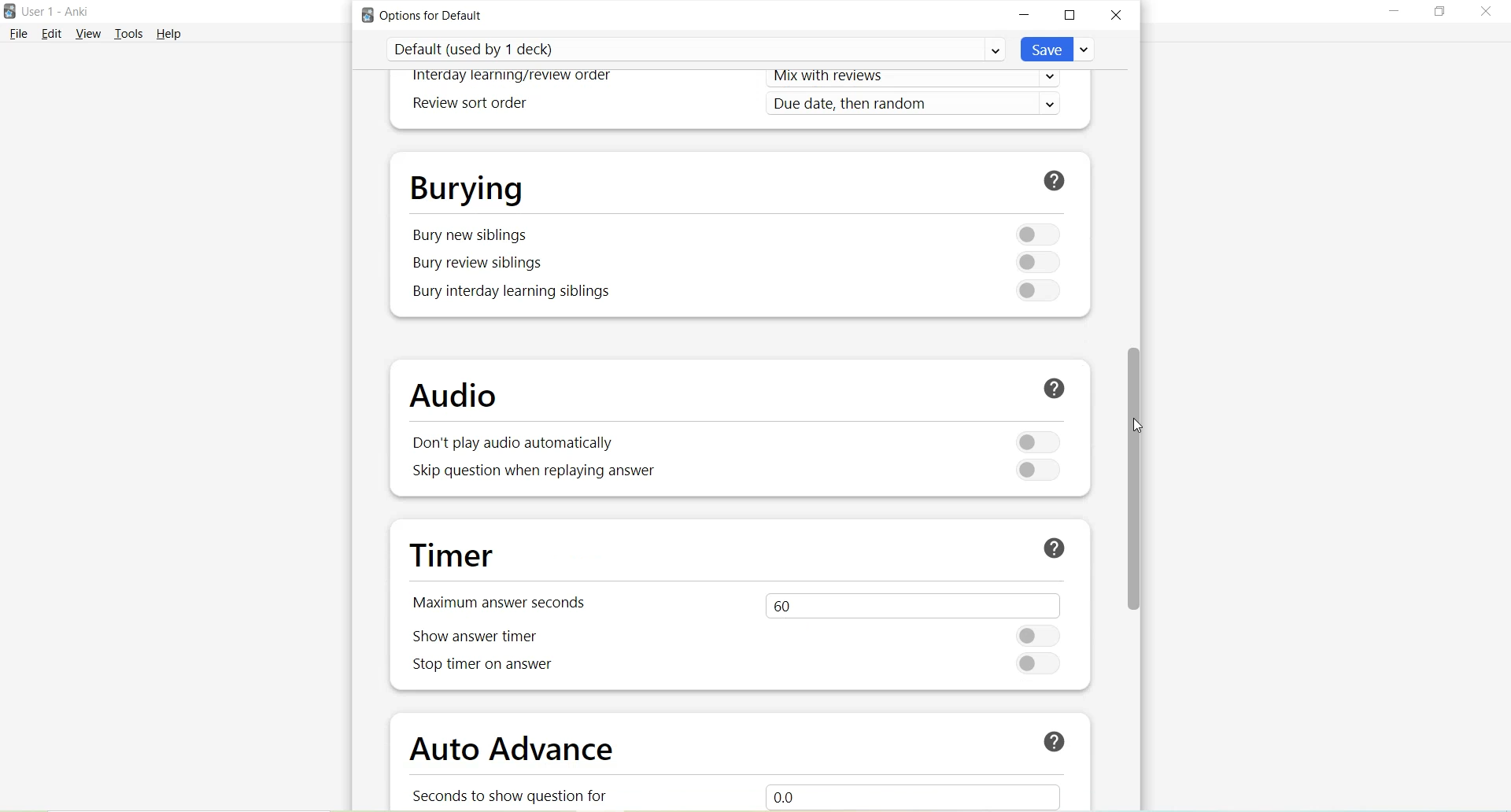 This screenshot has height=812, width=1511. I want to click on User 1 - Anki, so click(55, 11).